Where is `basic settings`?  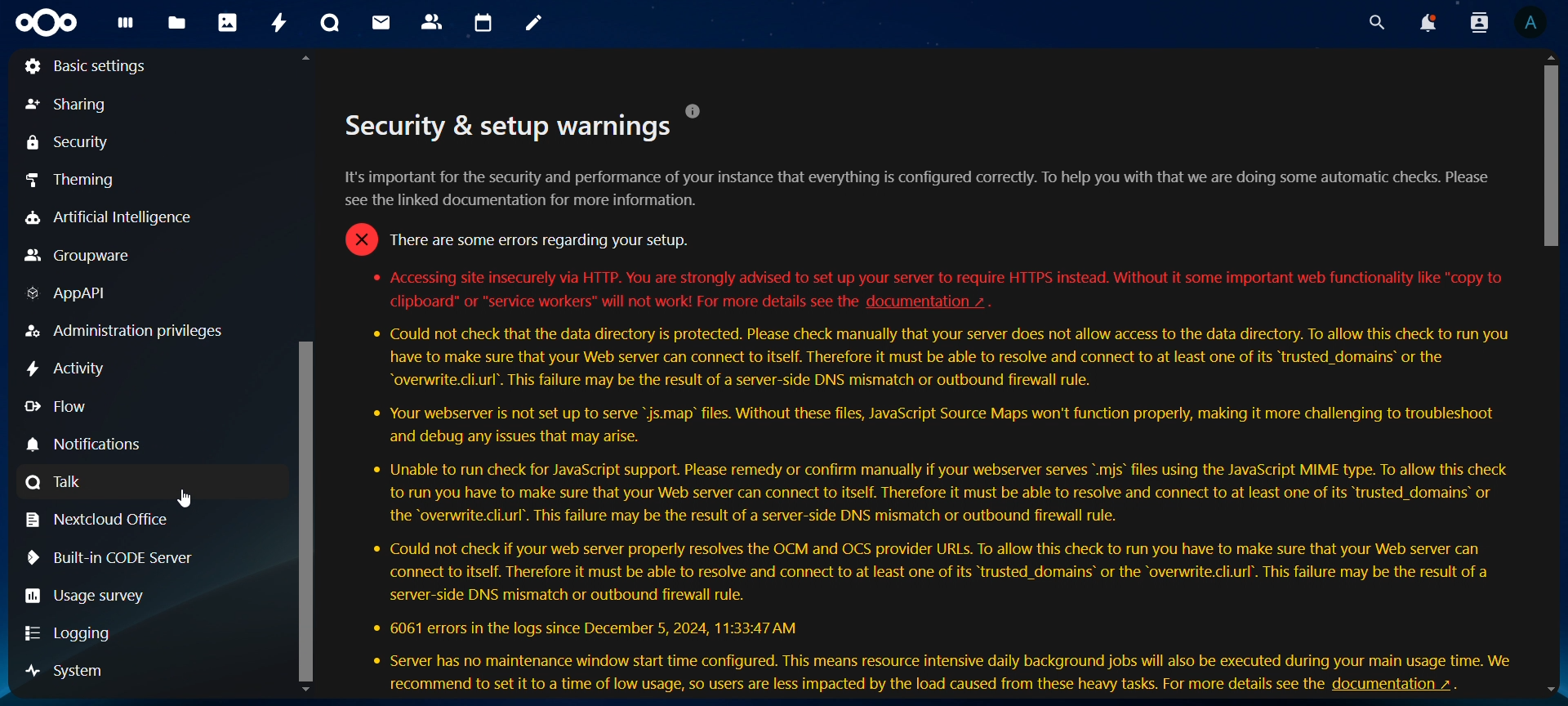 basic settings is located at coordinates (86, 69).